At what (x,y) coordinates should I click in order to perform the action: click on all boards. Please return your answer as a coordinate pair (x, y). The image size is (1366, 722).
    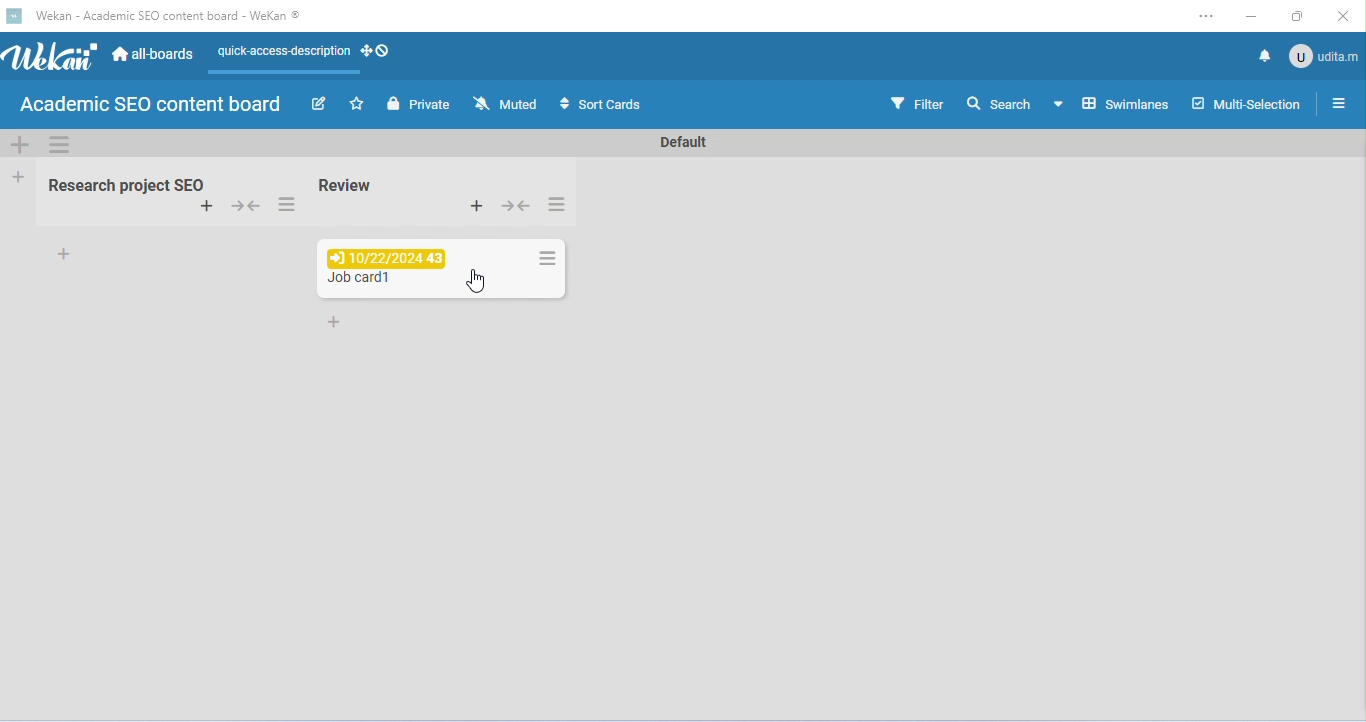
    Looking at the image, I should click on (155, 52).